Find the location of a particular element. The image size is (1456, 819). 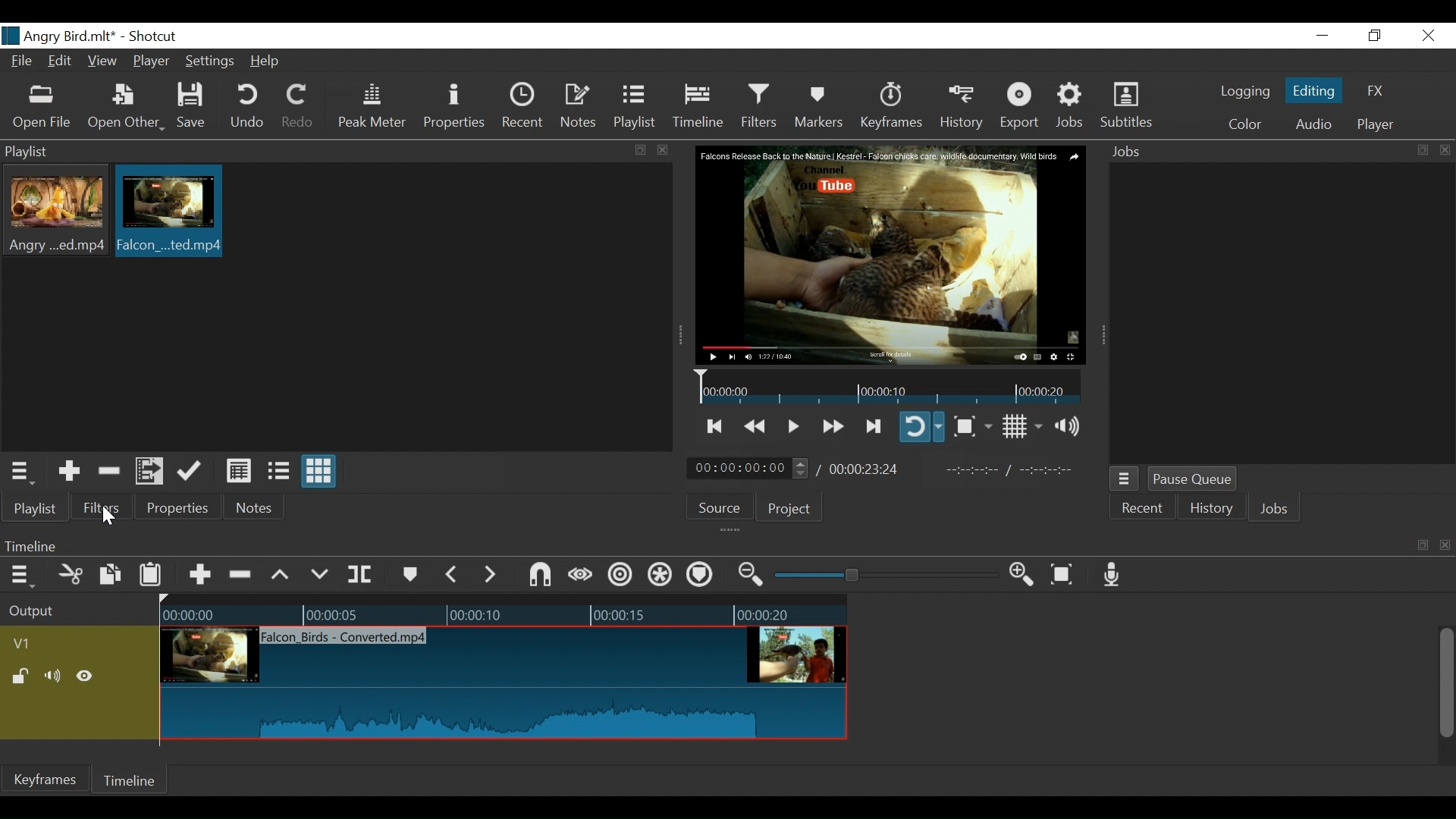

copy is located at coordinates (1421, 150).